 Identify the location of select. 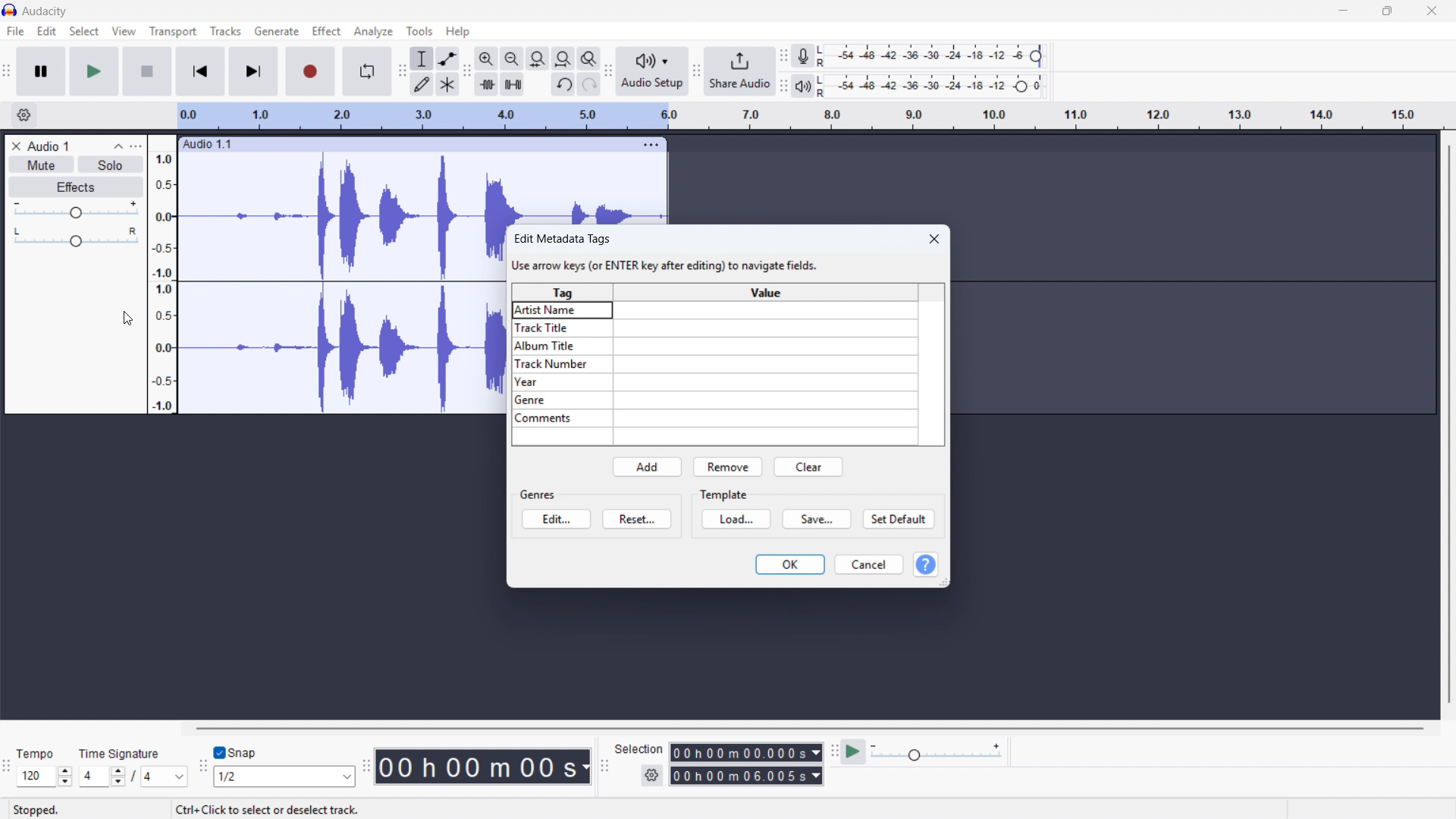
(85, 30).